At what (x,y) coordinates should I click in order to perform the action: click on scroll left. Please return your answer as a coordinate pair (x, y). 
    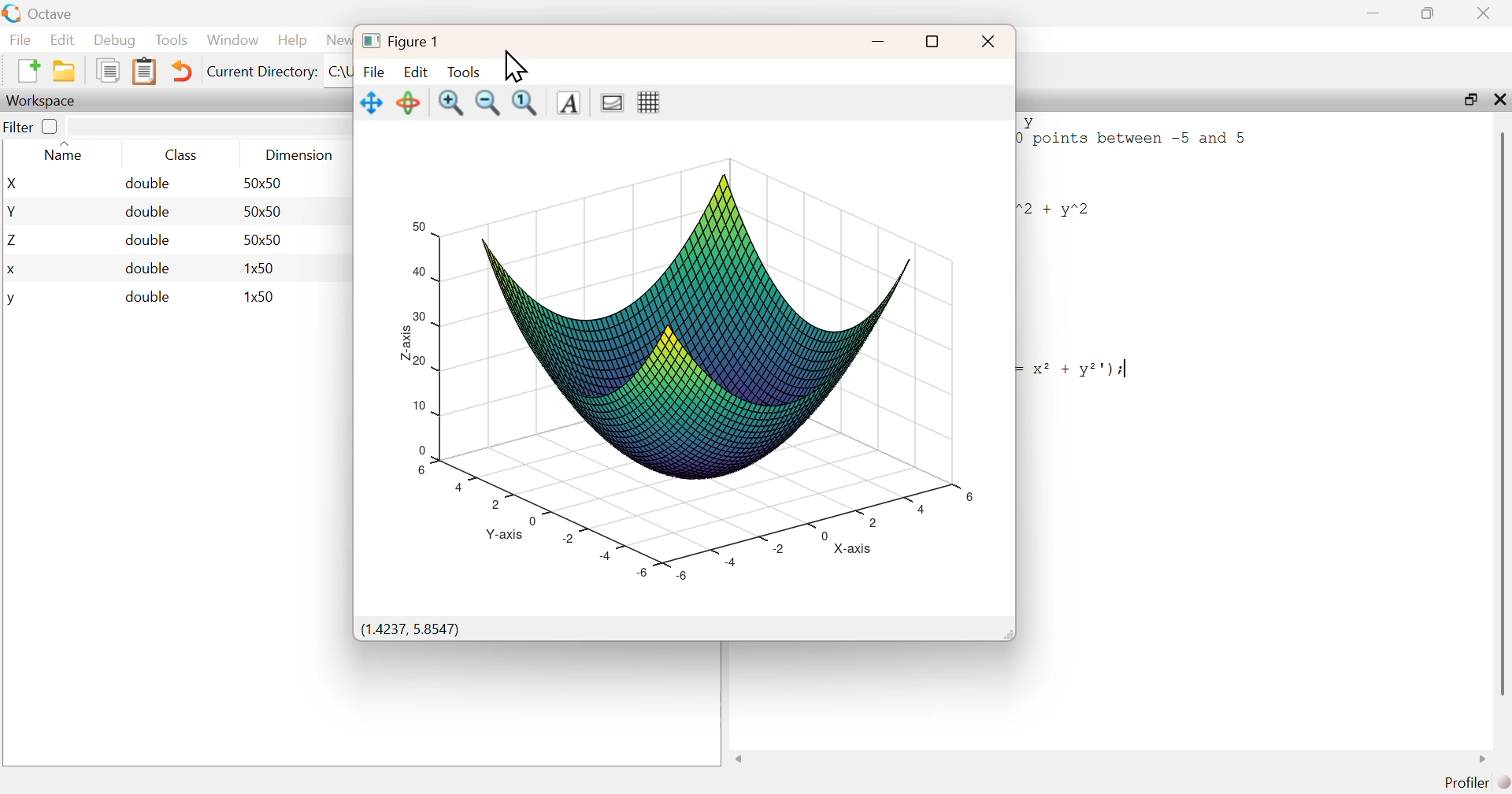
    Looking at the image, I should click on (739, 759).